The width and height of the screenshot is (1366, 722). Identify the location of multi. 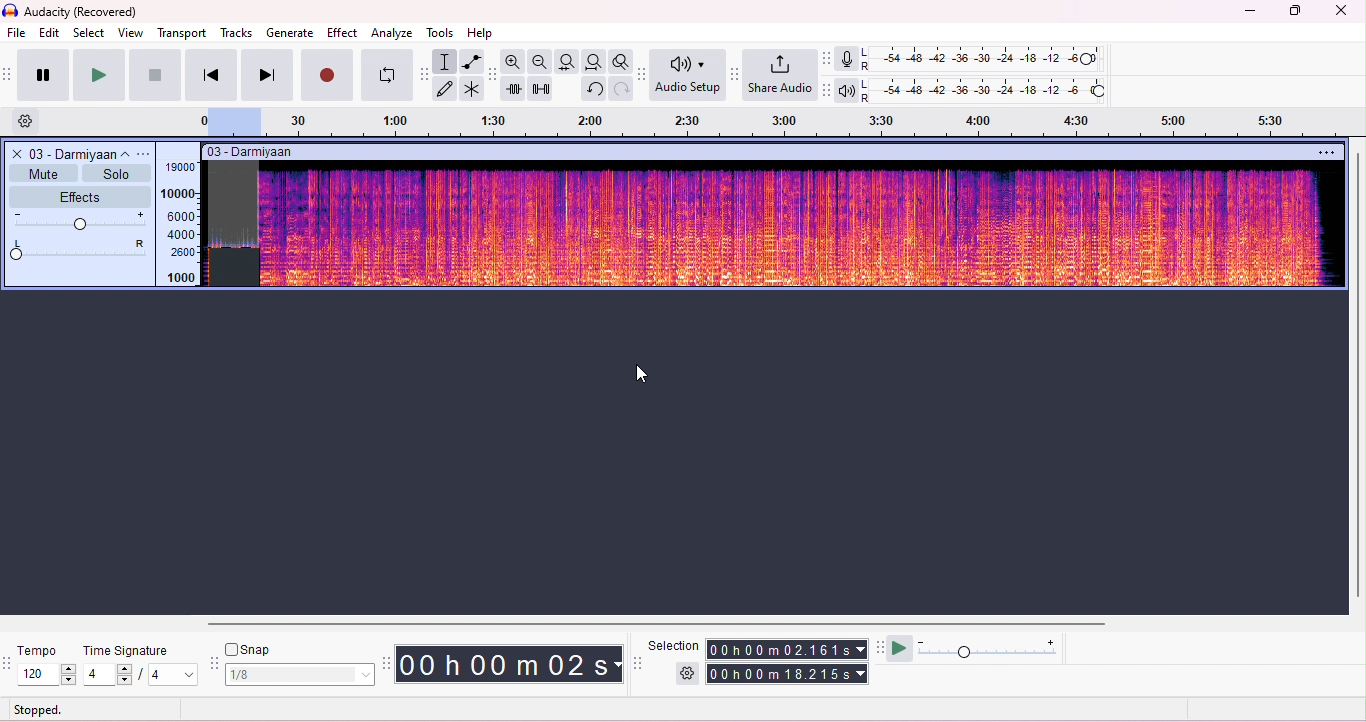
(473, 89).